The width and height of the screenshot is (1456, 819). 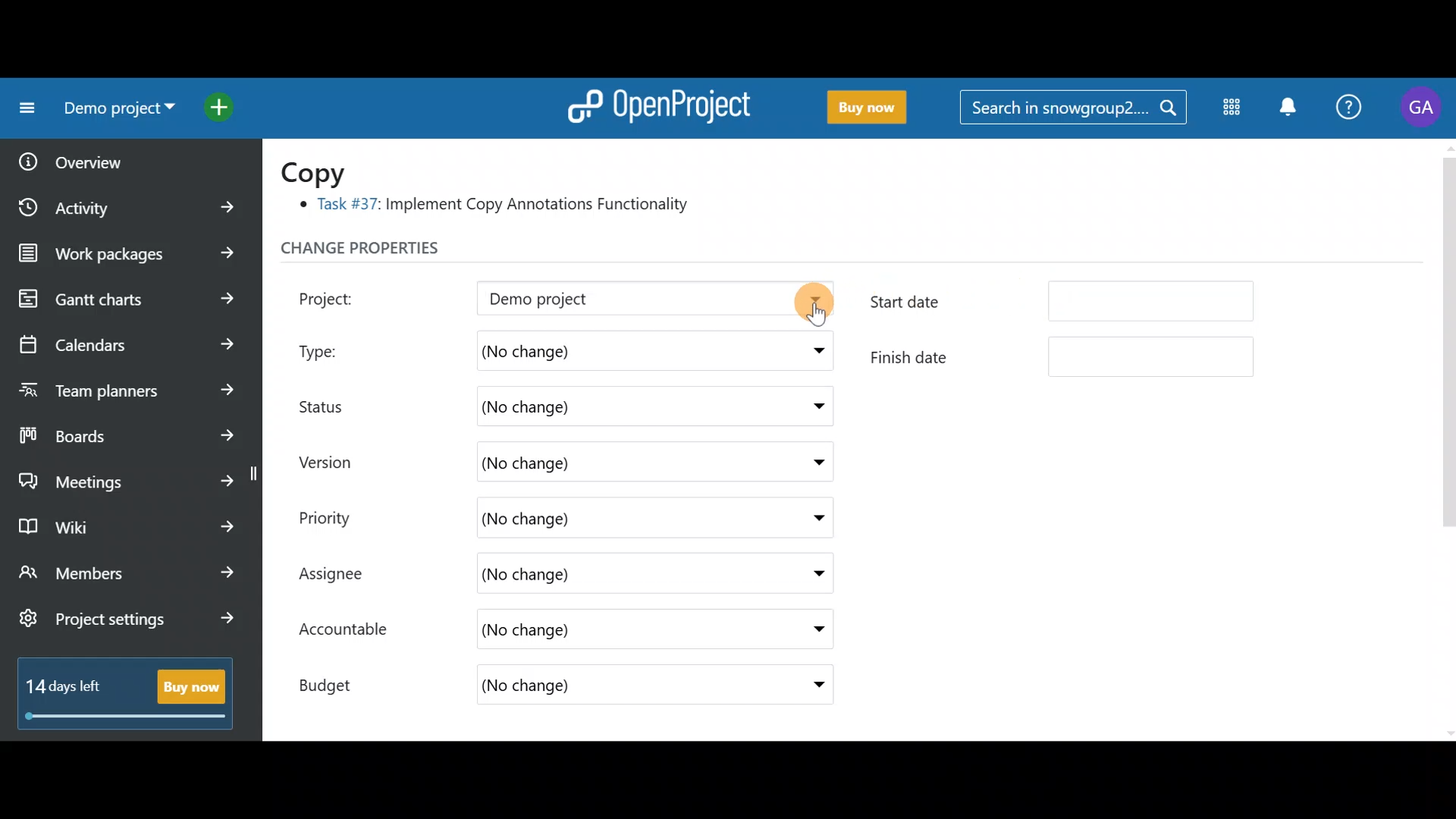 I want to click on Search in snowgroup?.... , so click(x=1069, y=108).